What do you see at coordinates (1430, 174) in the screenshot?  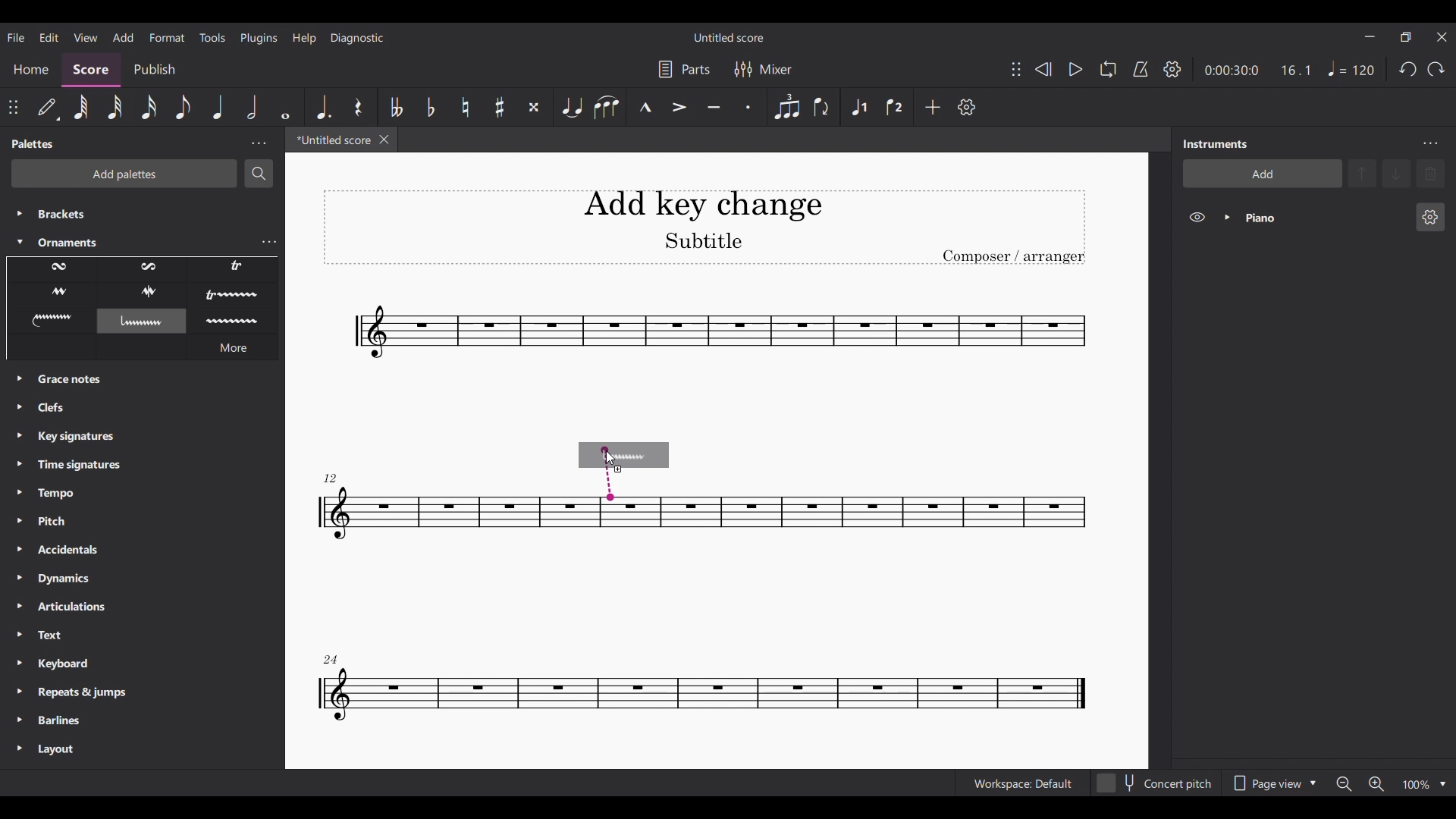 I see `Delete` at bounding box center [1430, 174].